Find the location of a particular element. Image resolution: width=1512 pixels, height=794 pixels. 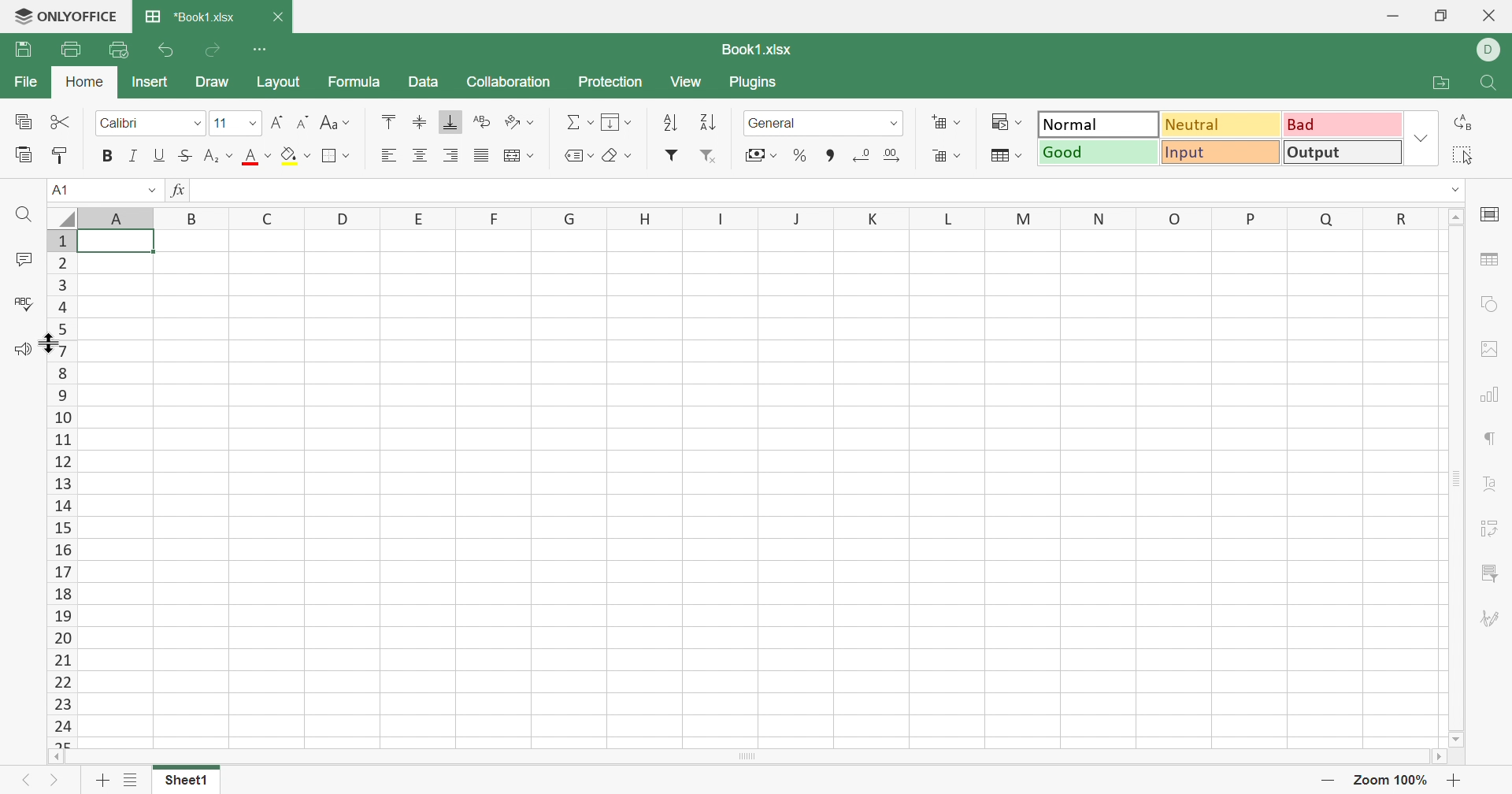

Previous is located at coordinates (25, 783).